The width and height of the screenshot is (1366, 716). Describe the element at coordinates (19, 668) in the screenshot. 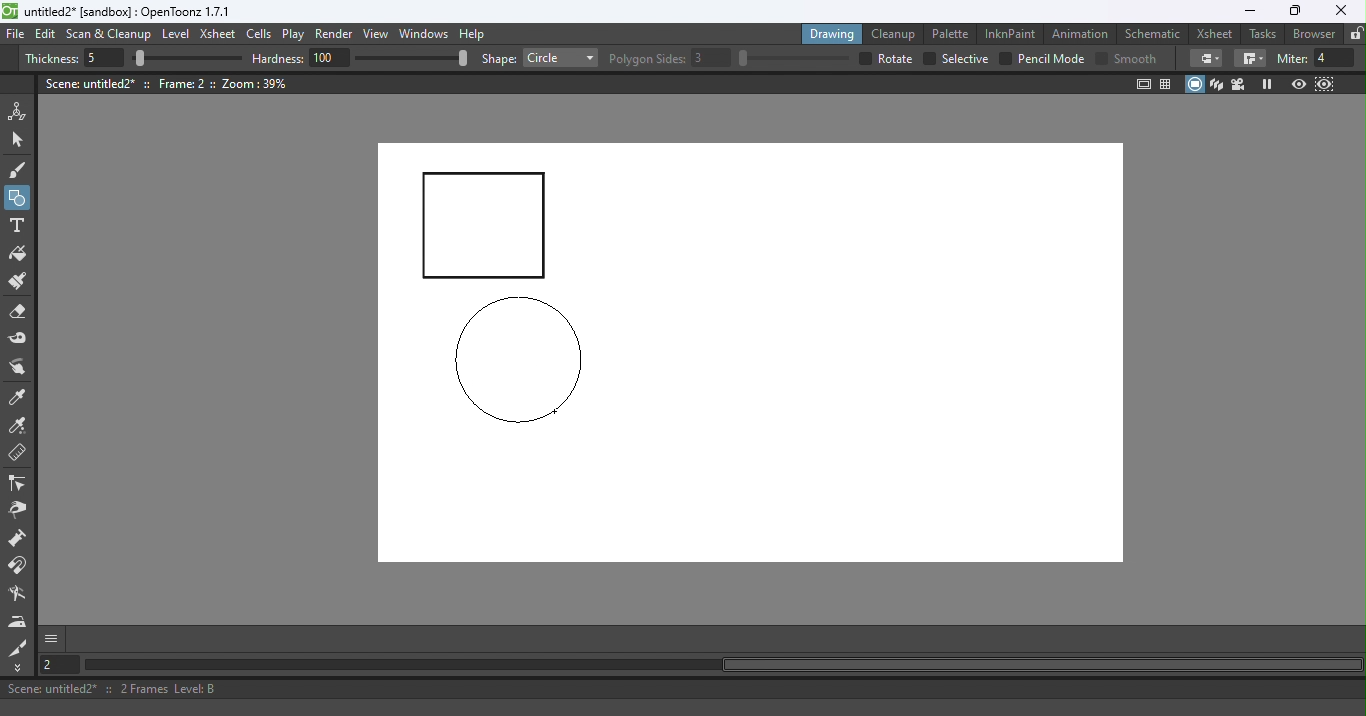

I see `More Tools` at that location.